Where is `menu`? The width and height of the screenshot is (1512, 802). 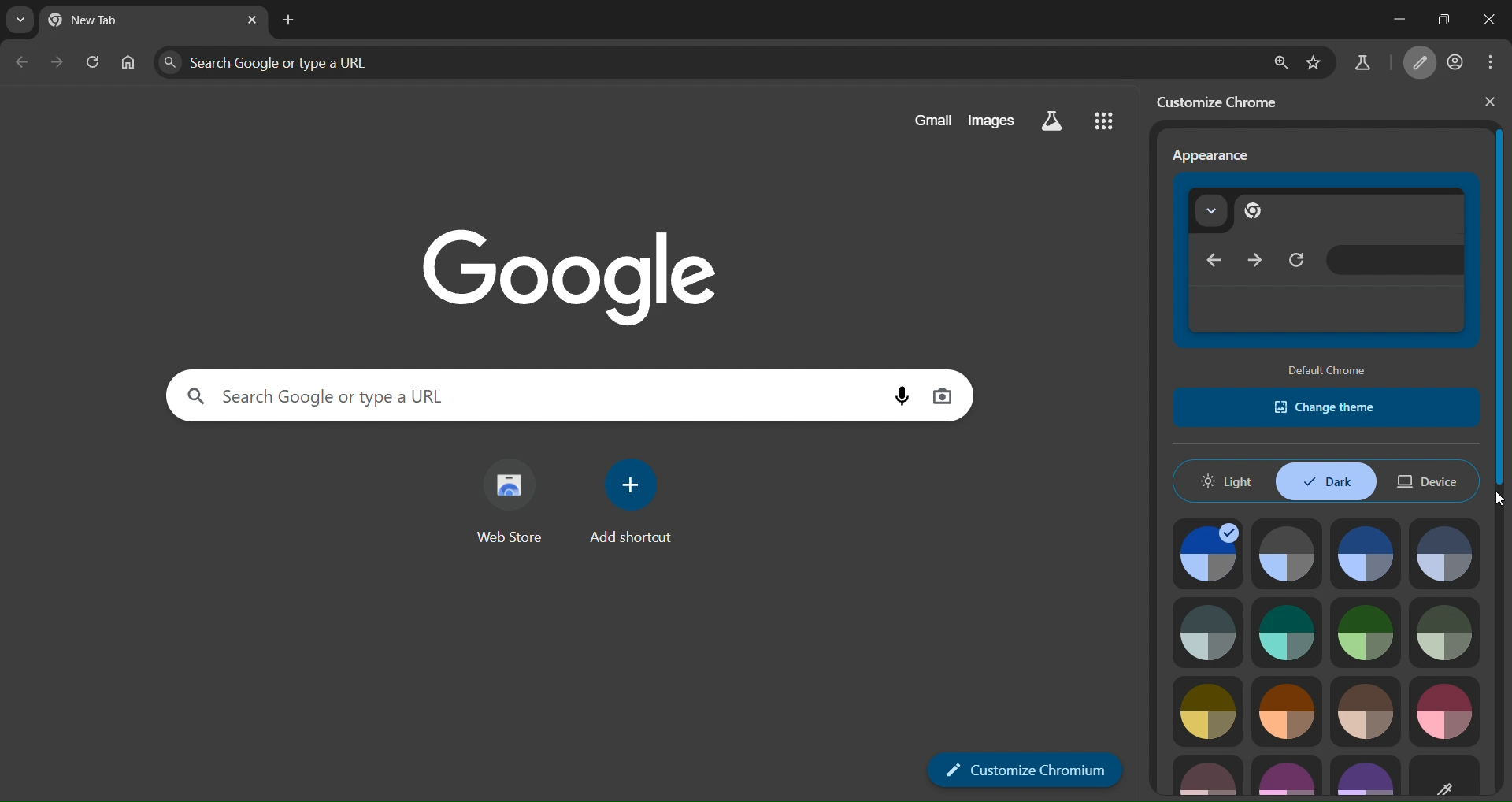
menu is located at coordinates (1489, 65).